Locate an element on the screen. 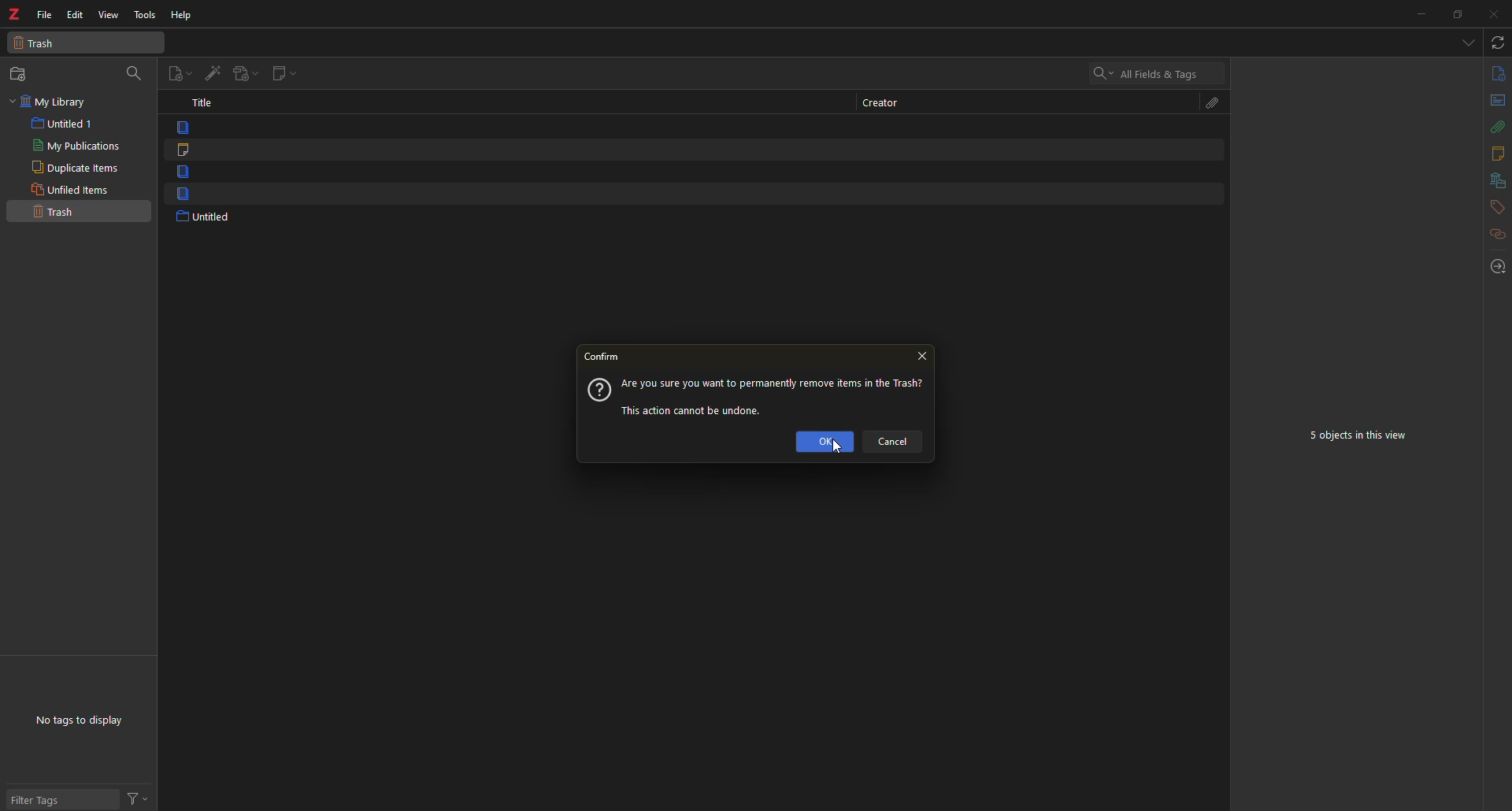  attach is located at coordinates (1499, 127).